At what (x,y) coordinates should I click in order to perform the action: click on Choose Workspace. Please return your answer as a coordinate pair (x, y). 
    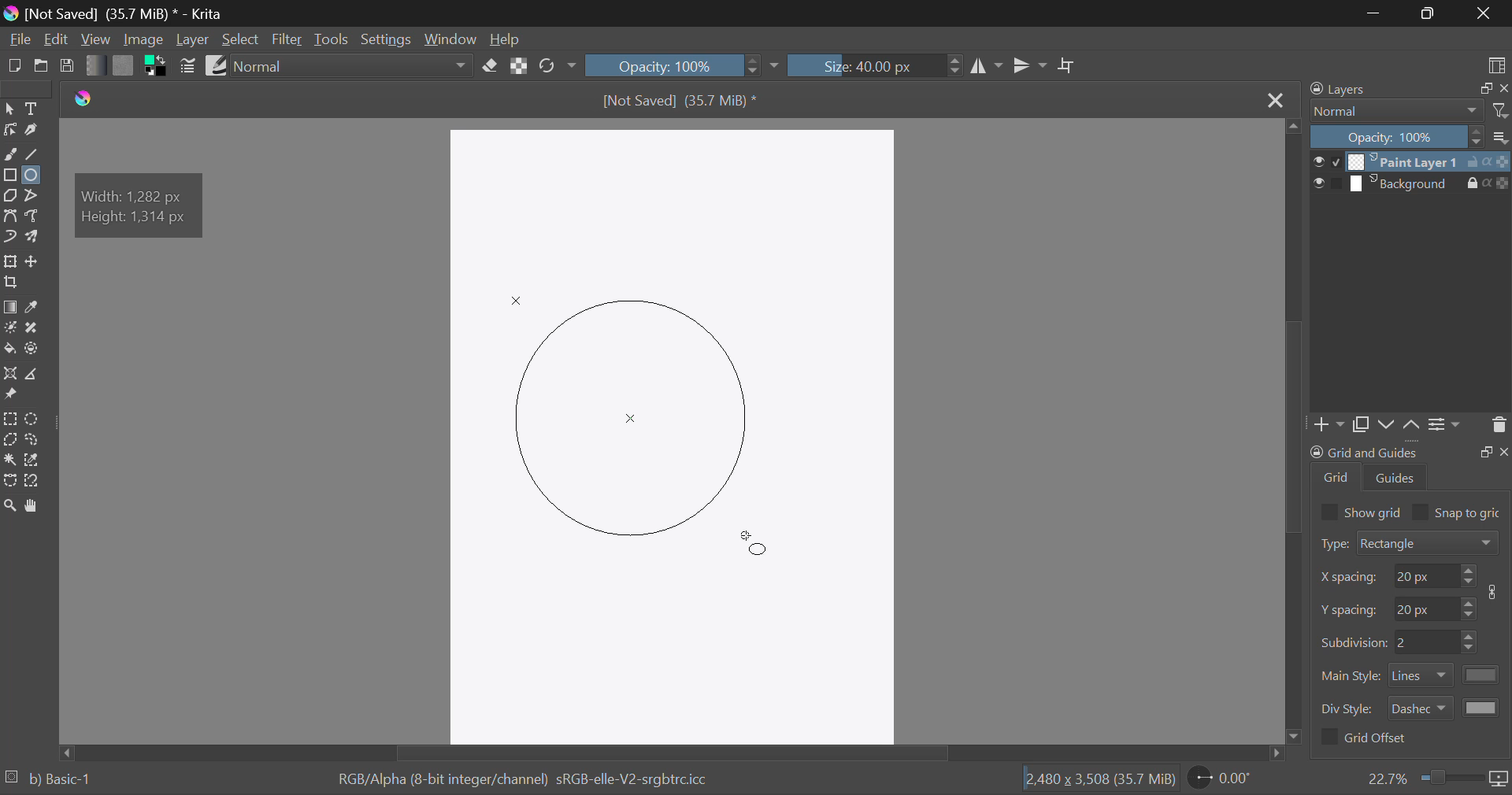
    Looking at the image, I should click on (1495, 65).